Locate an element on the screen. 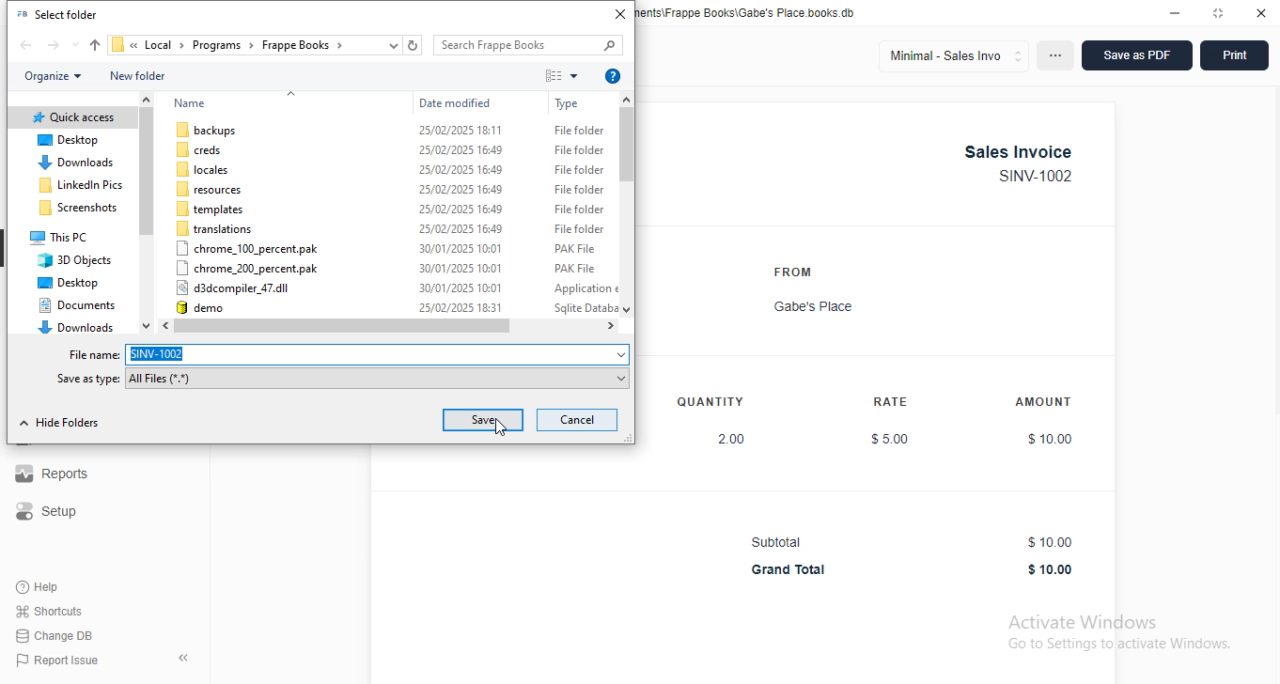 The width and height of the screenshot is (1280, 684). $10.00 is located at coordinates (1051, 542).